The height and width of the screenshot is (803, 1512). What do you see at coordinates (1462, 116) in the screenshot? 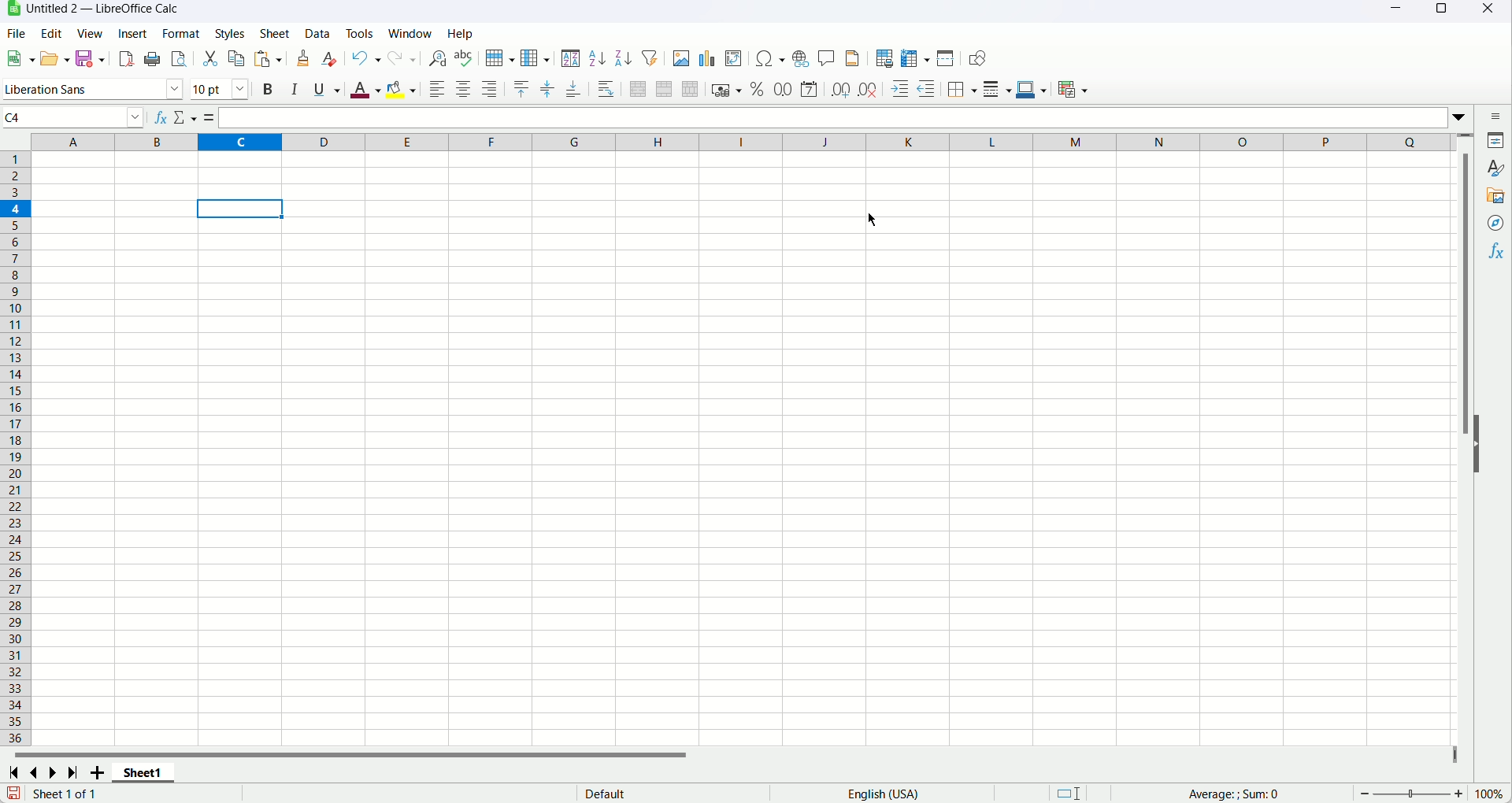
I see `Expand formula bar` at bounding box center [1462, 116].